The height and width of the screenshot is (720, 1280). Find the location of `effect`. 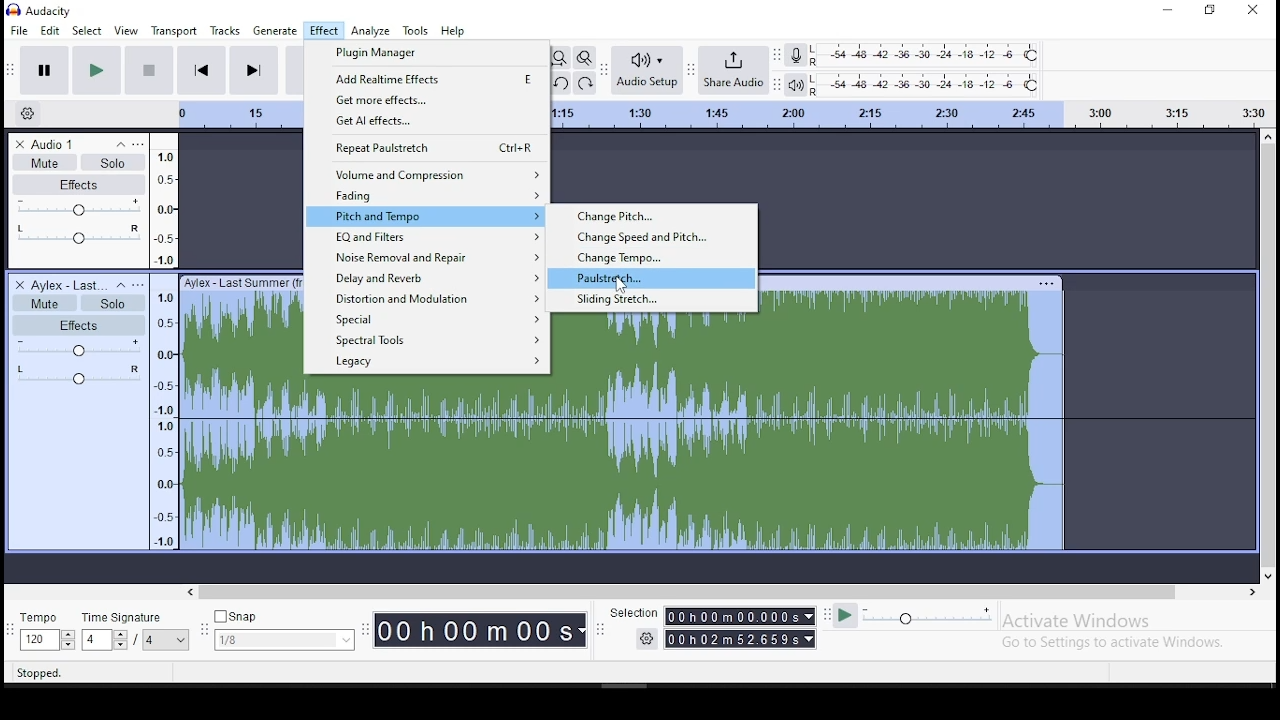

effect is located at coordinates (324, 31).